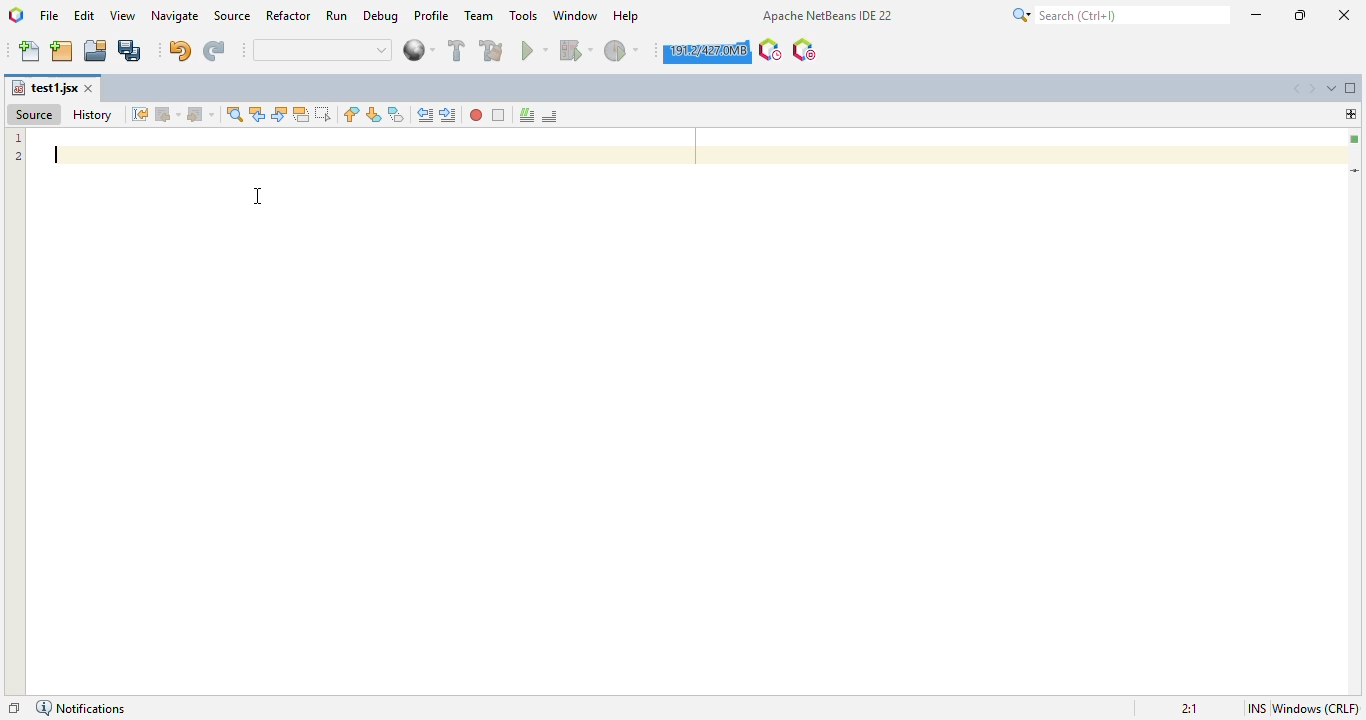 Image resolution: width=1366 pixels, height=720 pixels. Describe the element at coordinates (425, 115) in the screenshot. I see `shift line left` at that location.